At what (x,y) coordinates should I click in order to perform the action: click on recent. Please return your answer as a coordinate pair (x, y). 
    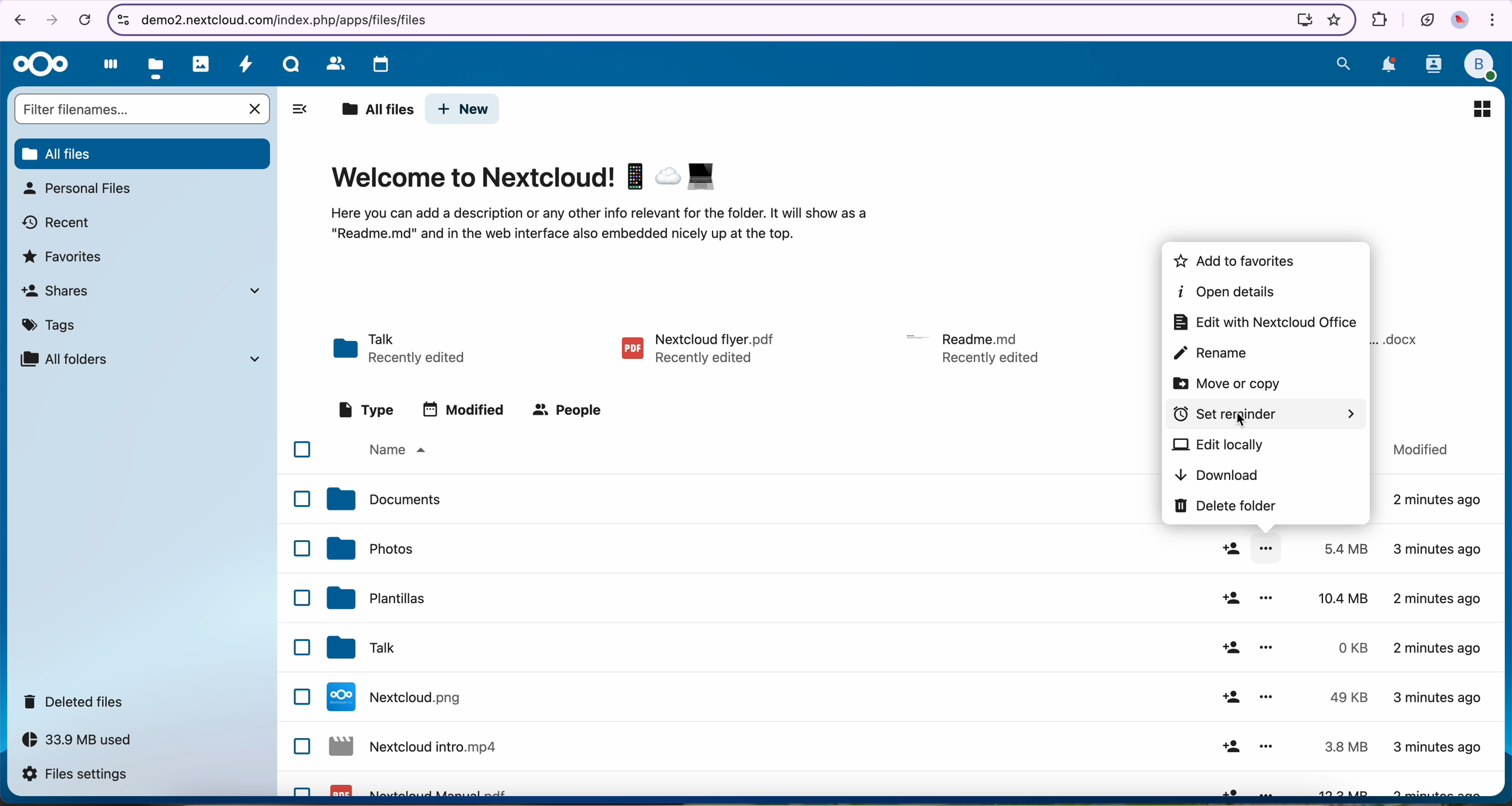
    Looking at the image, I should click on (59, 222).